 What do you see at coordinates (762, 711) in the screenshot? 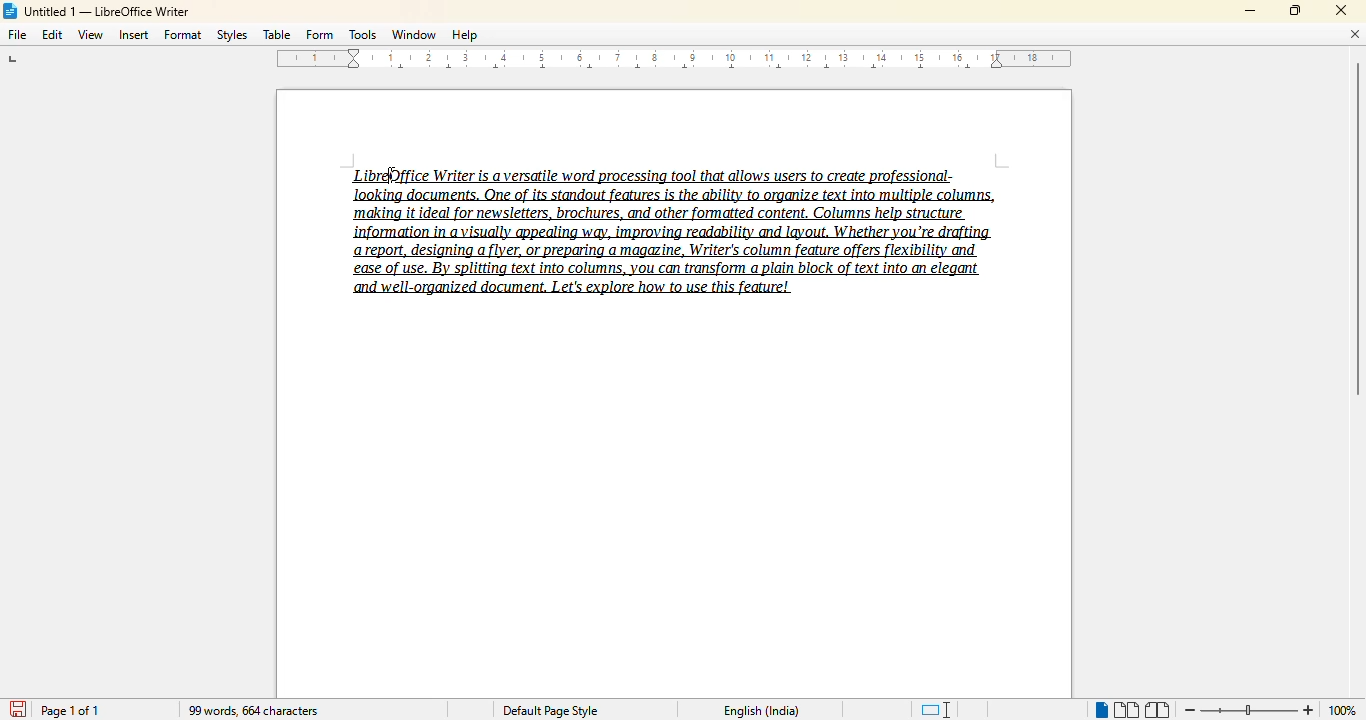
I see `English (India)` at bounding box center [762, 711].